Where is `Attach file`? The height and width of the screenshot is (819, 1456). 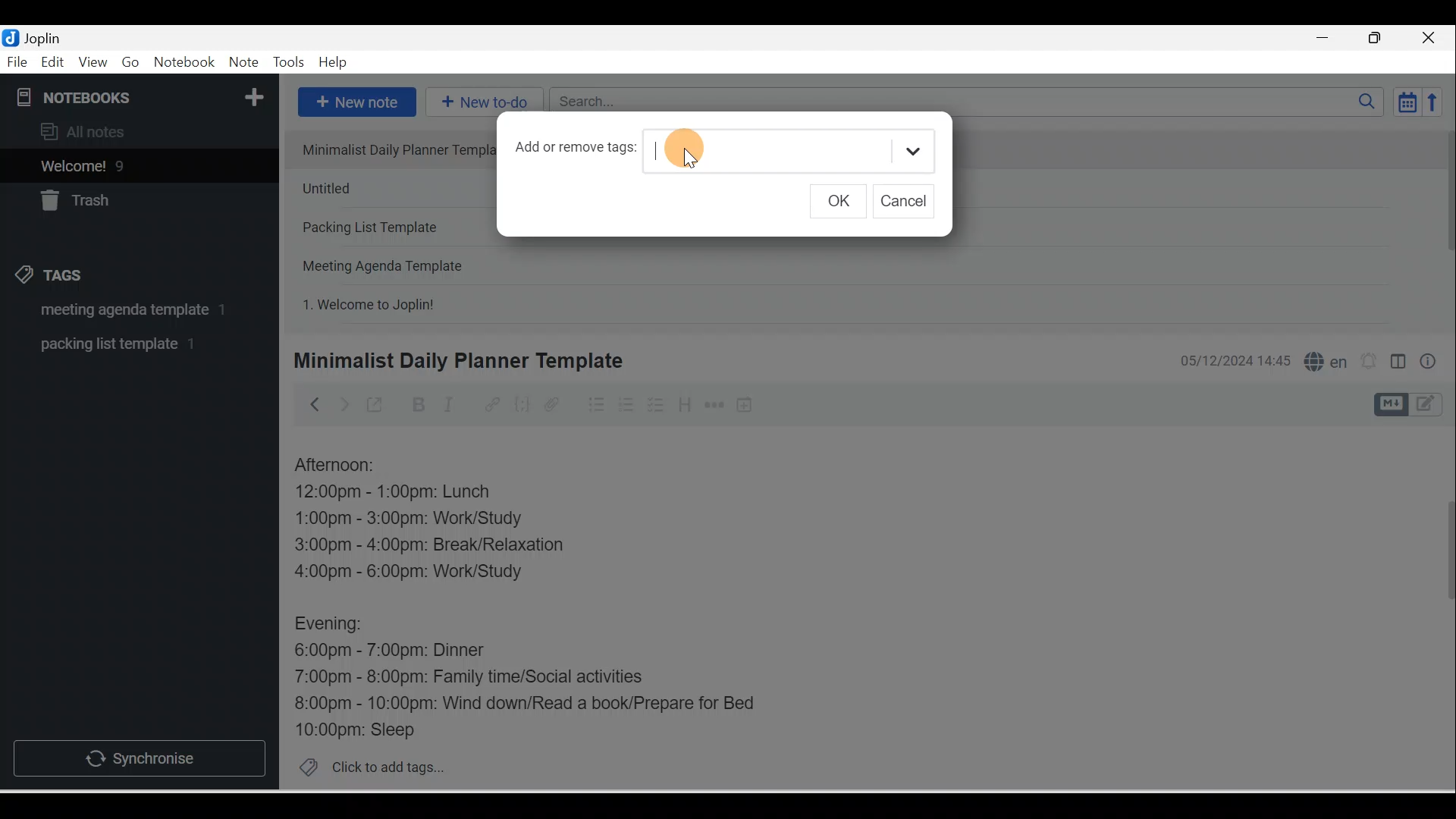
Attach file is located at coordinates (556, 404).